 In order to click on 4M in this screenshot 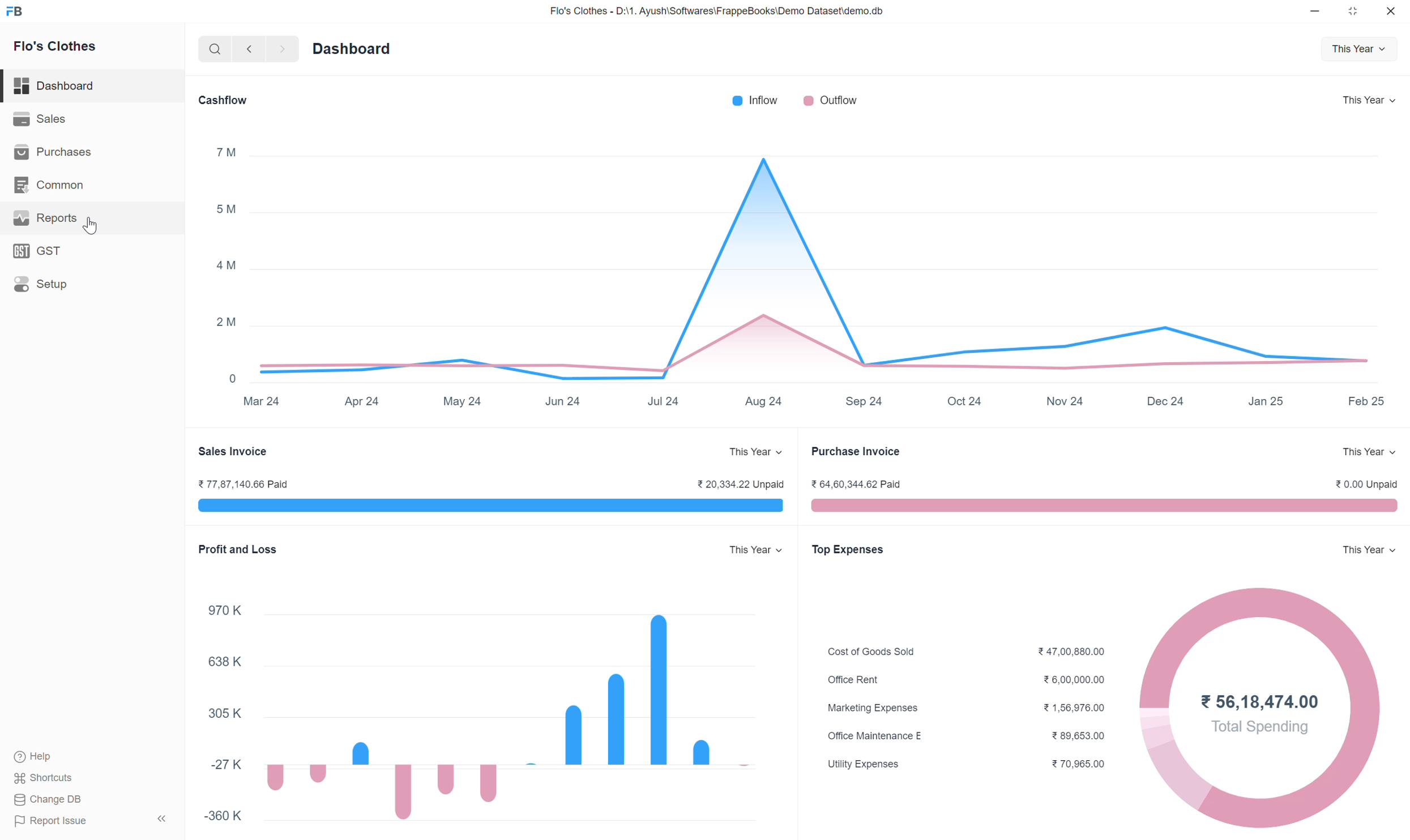, I will do `click(225, 267)`.